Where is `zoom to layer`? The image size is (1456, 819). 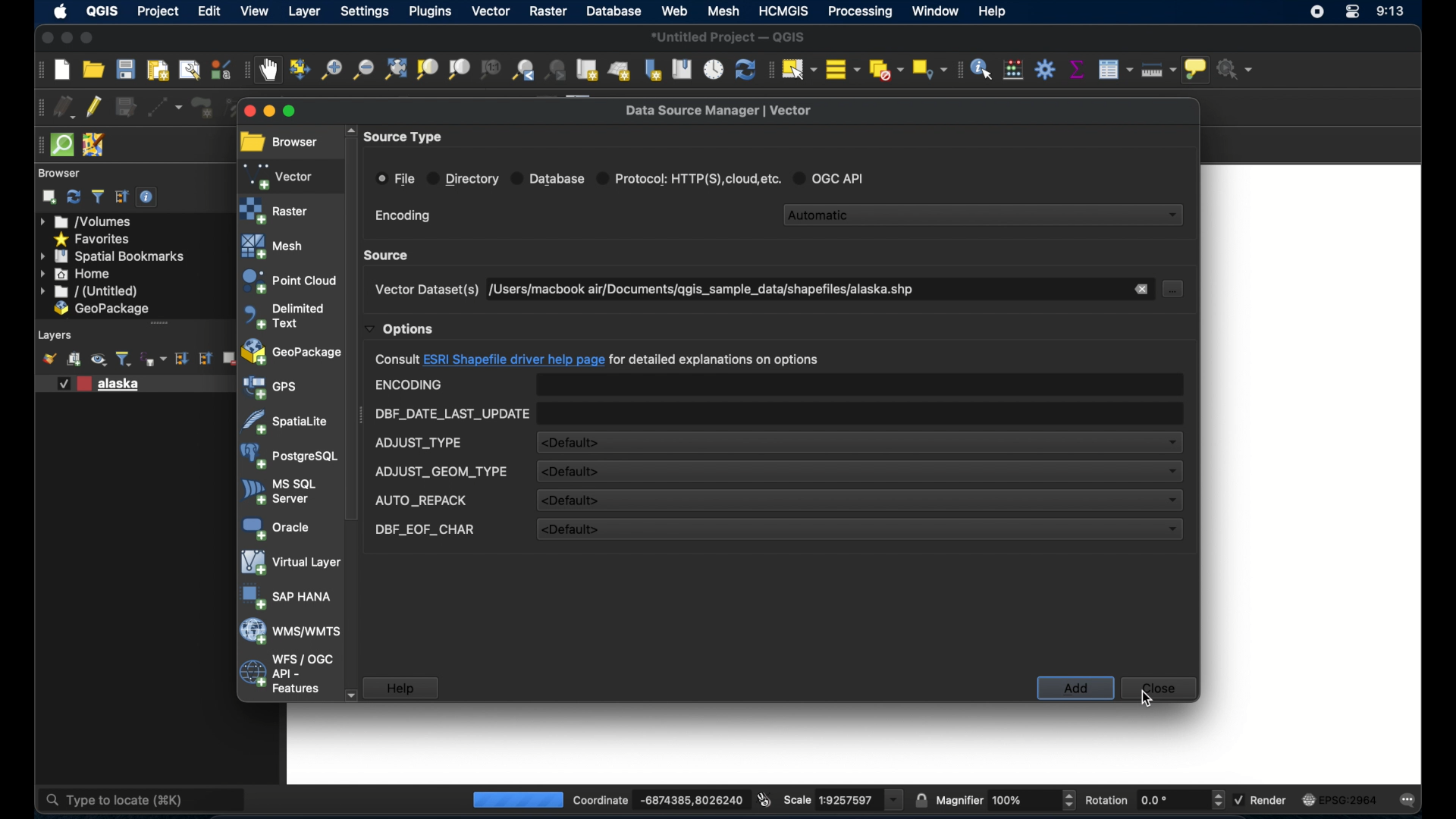
zoom to layer is located at coordinates (460, 70).